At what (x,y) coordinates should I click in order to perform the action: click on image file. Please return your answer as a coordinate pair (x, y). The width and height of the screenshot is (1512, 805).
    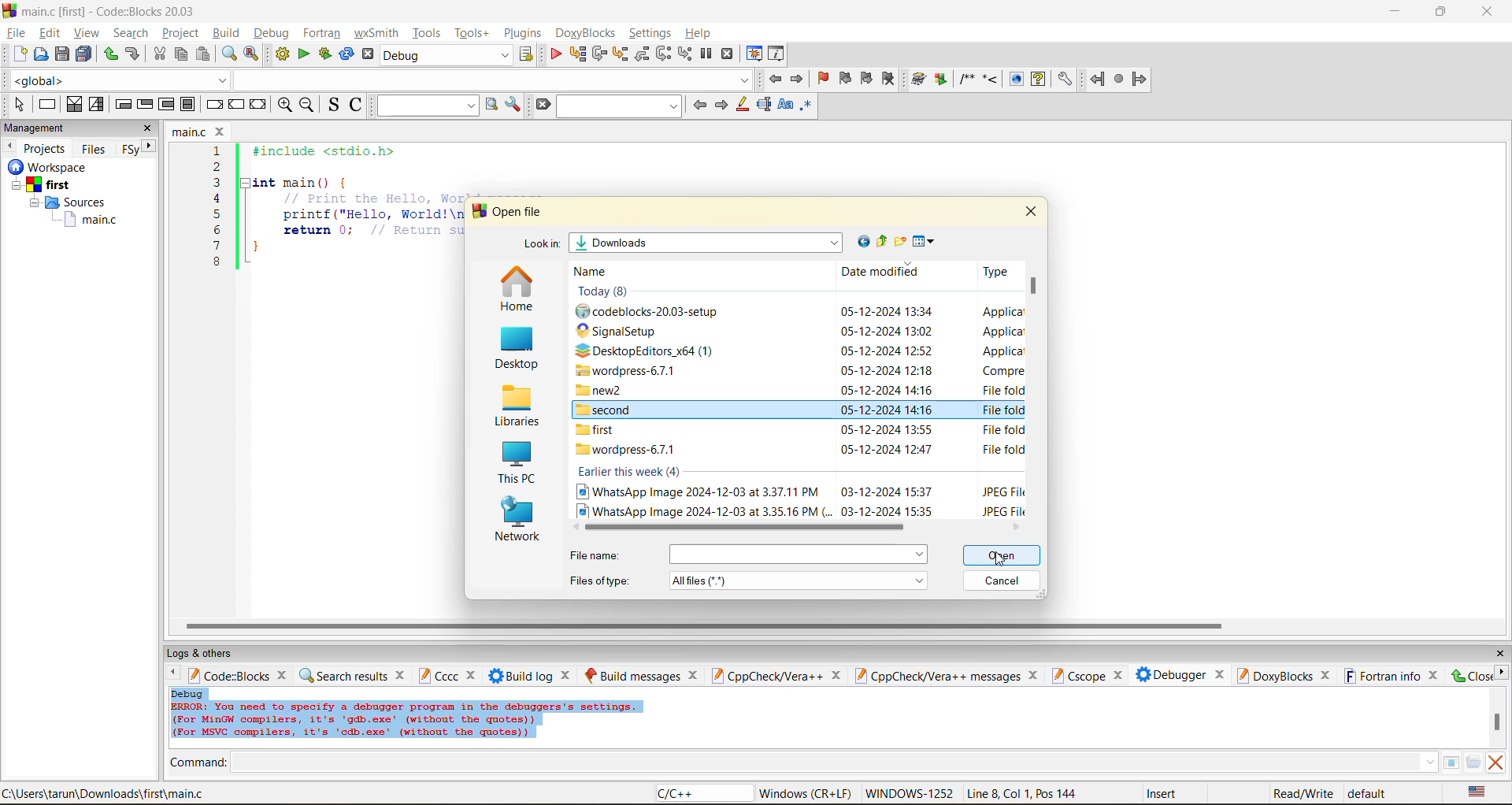
    Looking at the image, I should click on (702, 510).